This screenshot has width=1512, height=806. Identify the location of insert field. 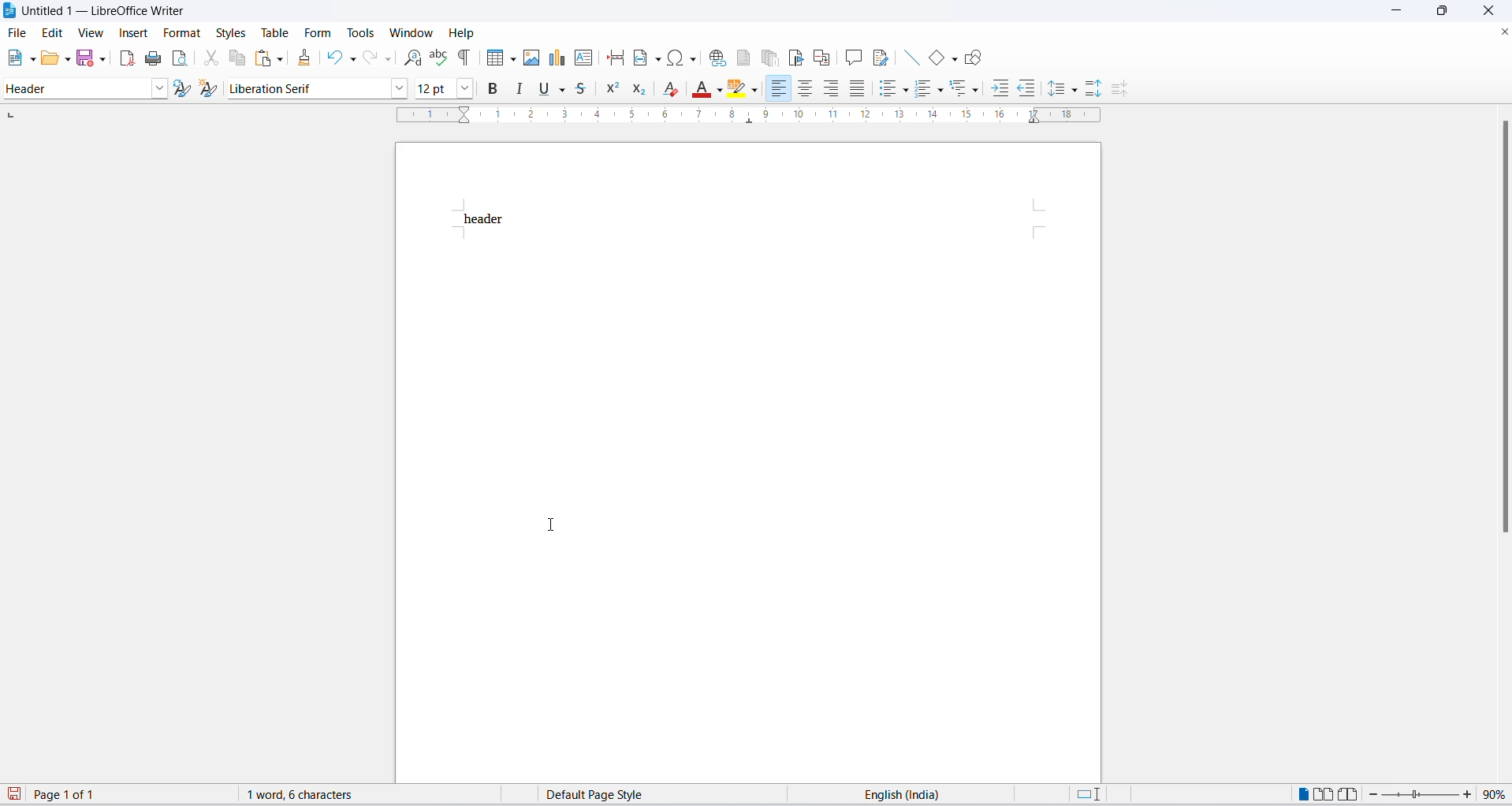
(646, 59).